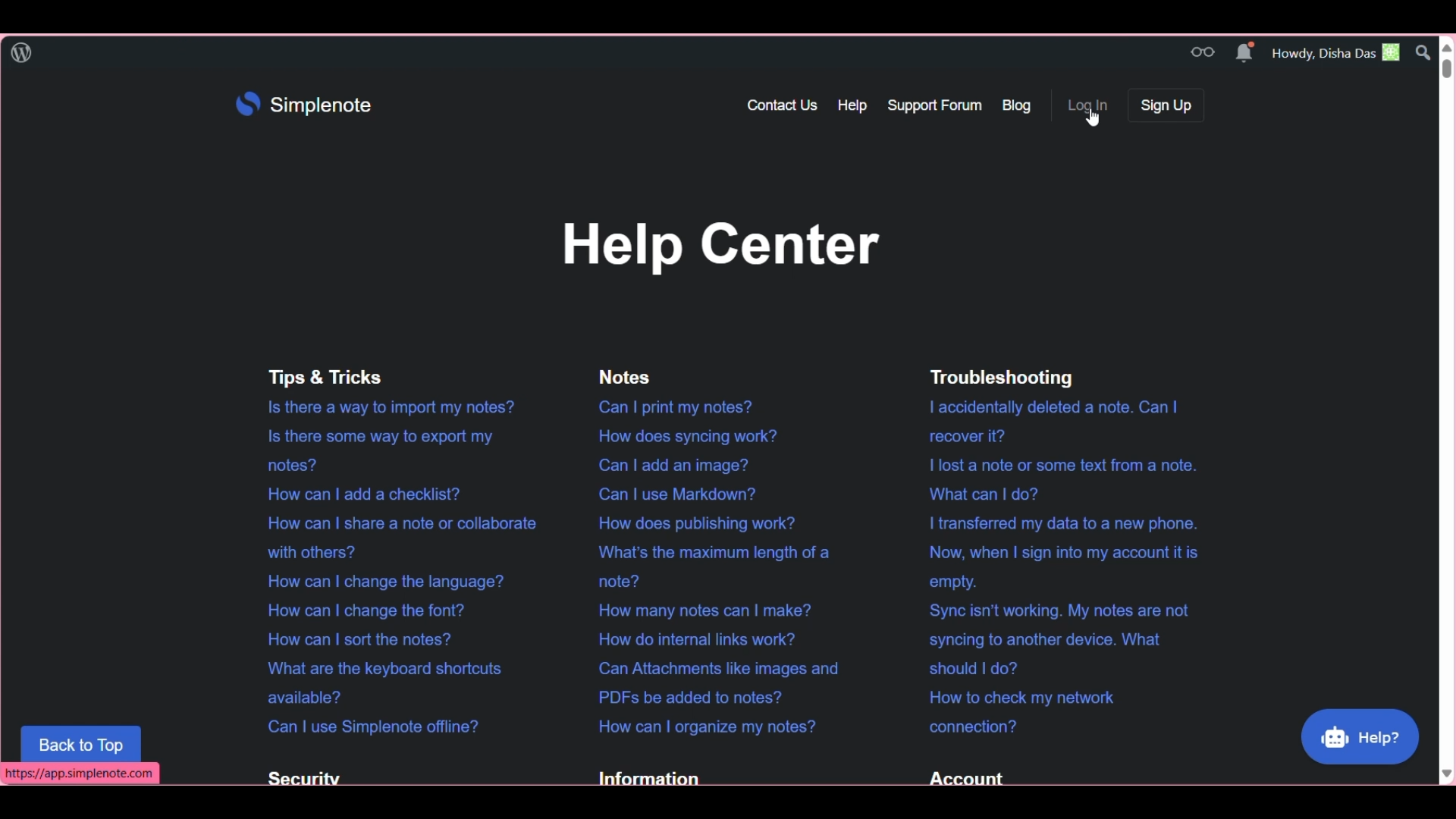 This screenshot has width=1456, height=819. What do you see at coordinates (693, 520) in the screenshot?
I see `How does publishing work?` at bounding box center [693, 520].